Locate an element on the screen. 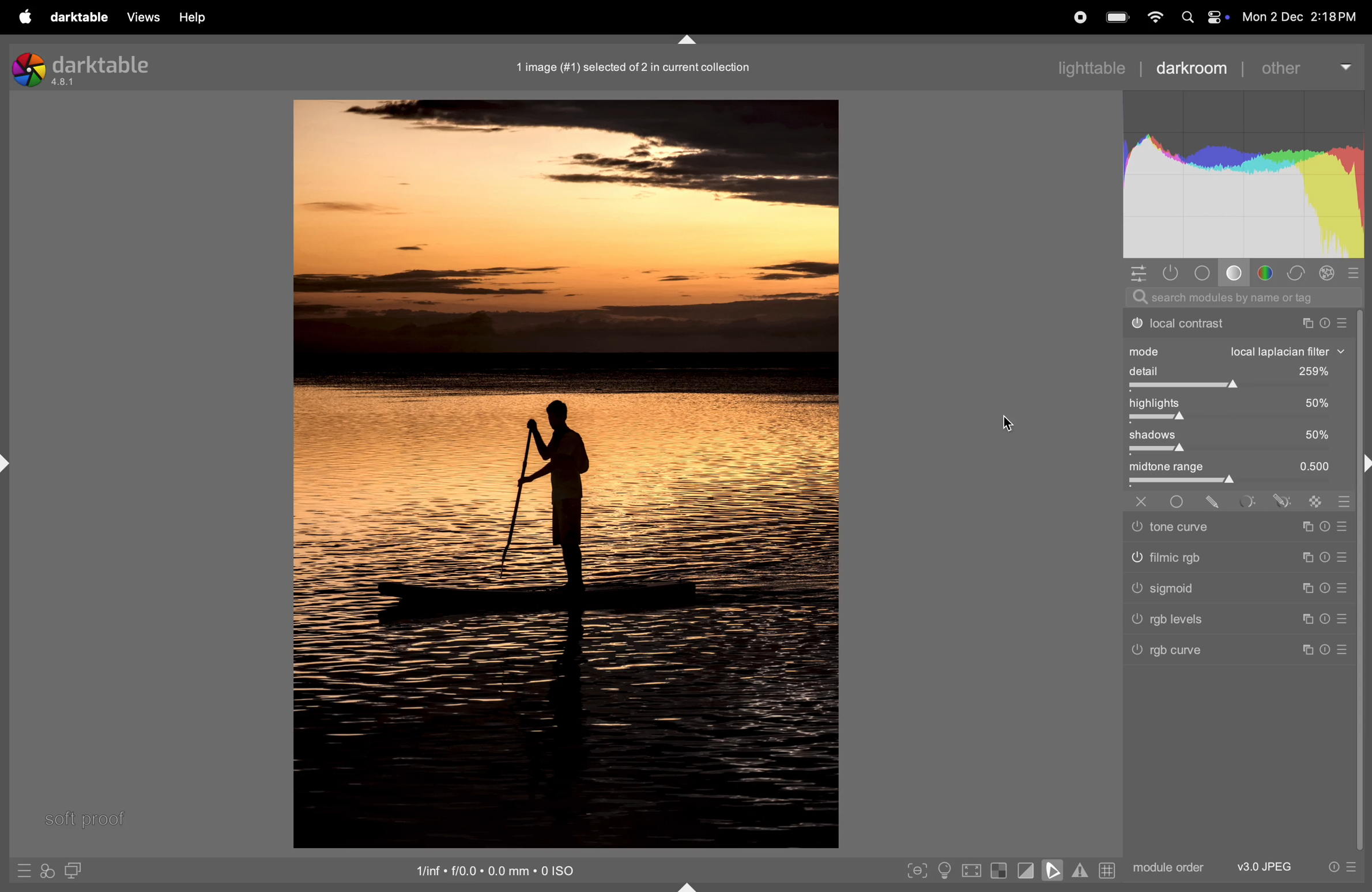 This screenshot has height=892, width=1372. togglebar is located at coordinates (1238, 386).